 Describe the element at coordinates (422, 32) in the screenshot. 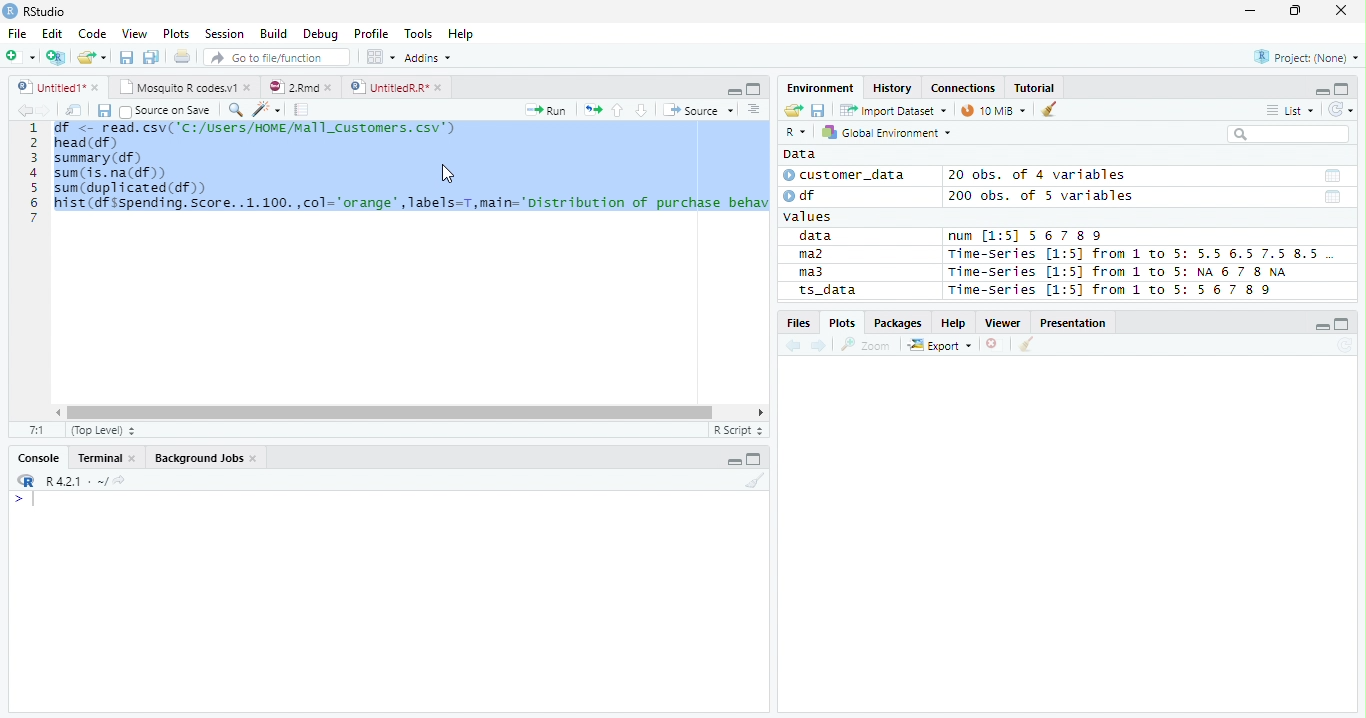

I see `Tools` at that location.